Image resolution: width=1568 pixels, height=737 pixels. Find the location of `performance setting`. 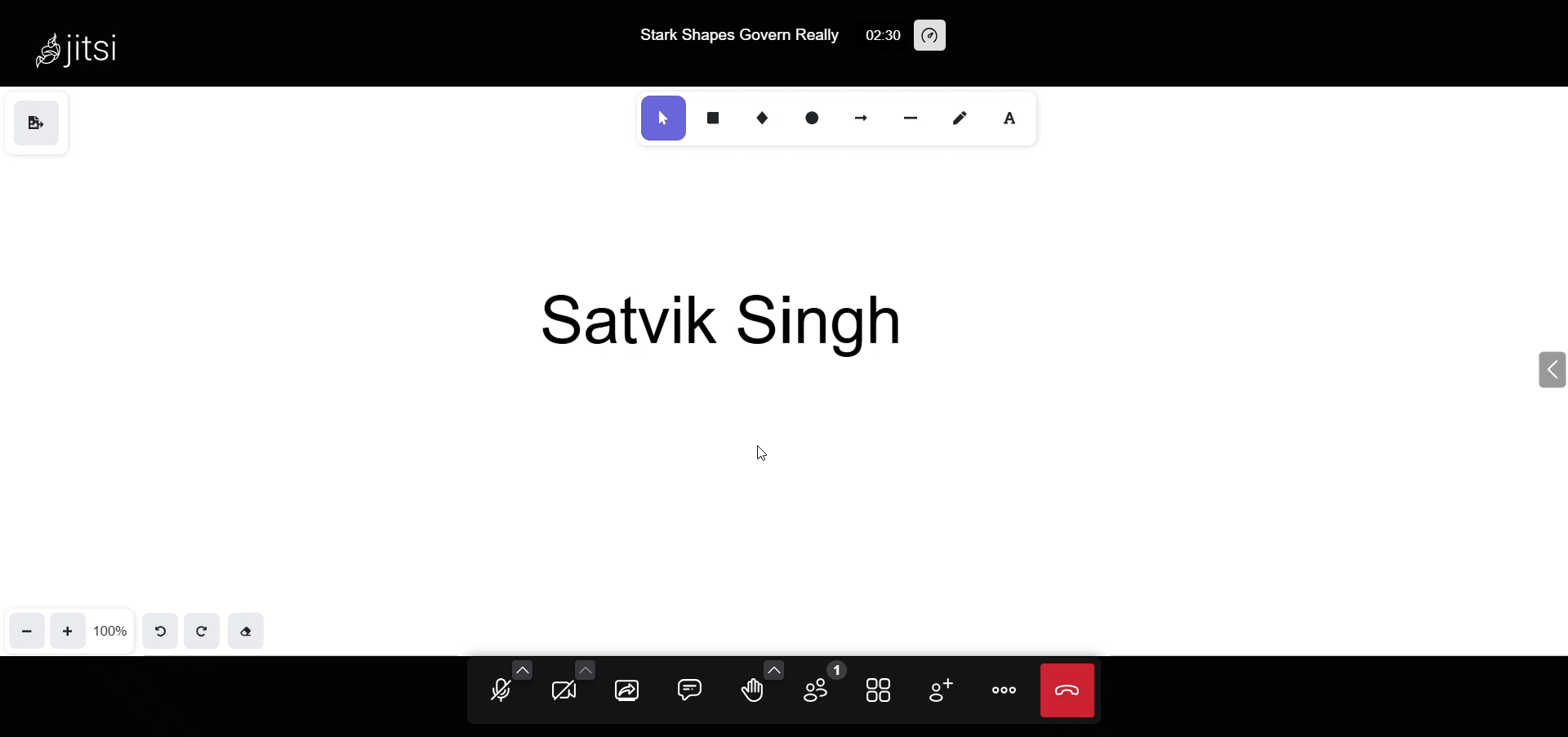

performance setting is located at coordinates (933, 37).